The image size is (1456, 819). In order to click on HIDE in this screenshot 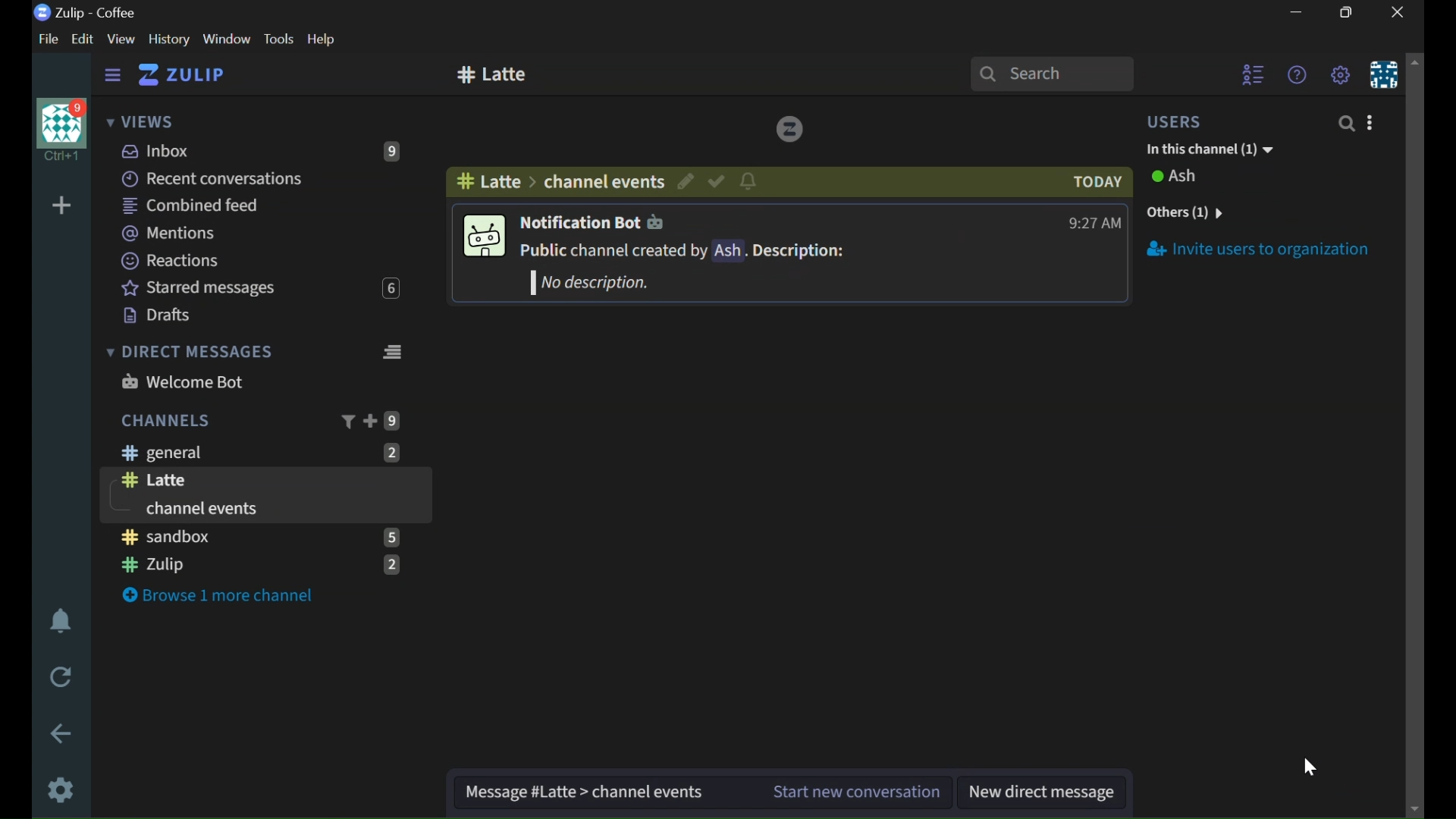, I will do `click(110, 76)`.